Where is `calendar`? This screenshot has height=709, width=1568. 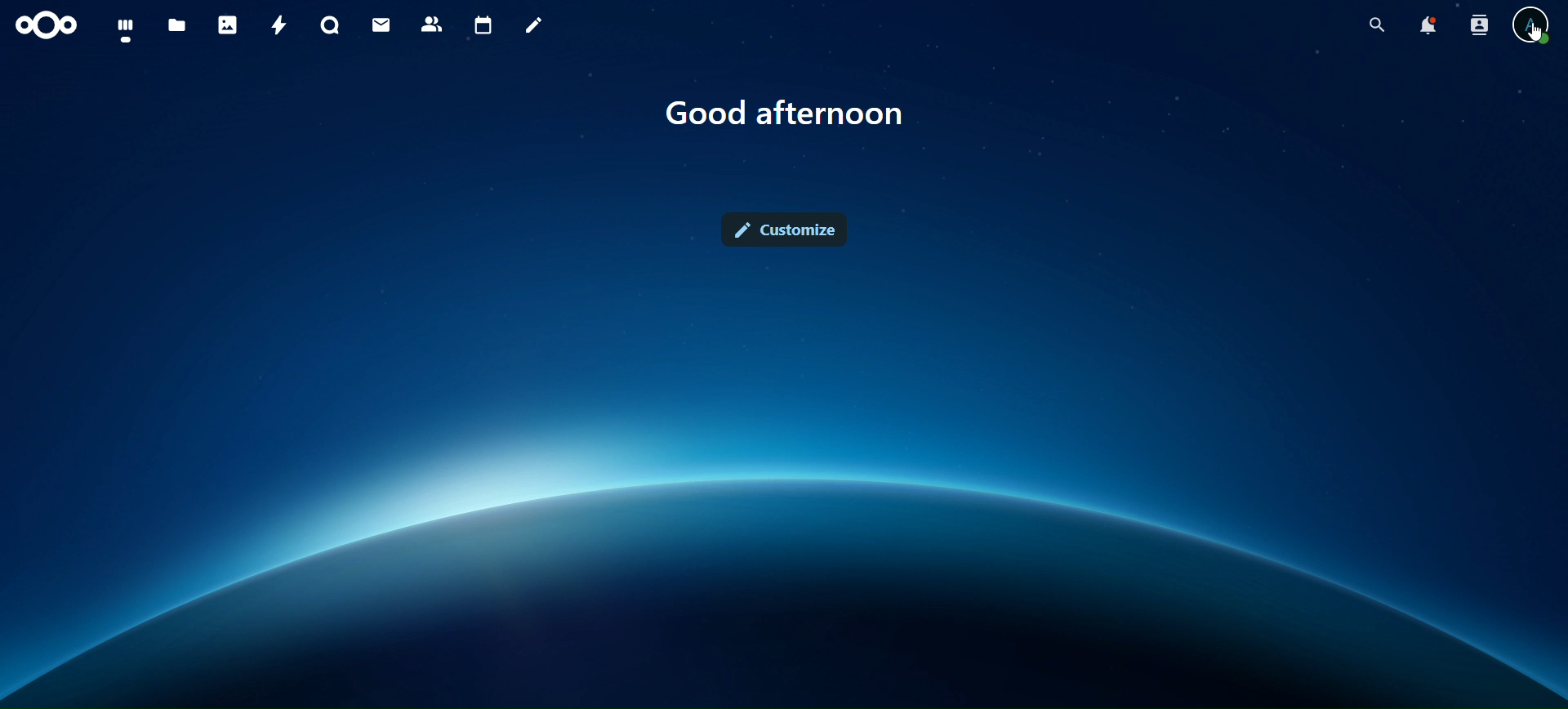
calendar is located at coordinates (483, 24).